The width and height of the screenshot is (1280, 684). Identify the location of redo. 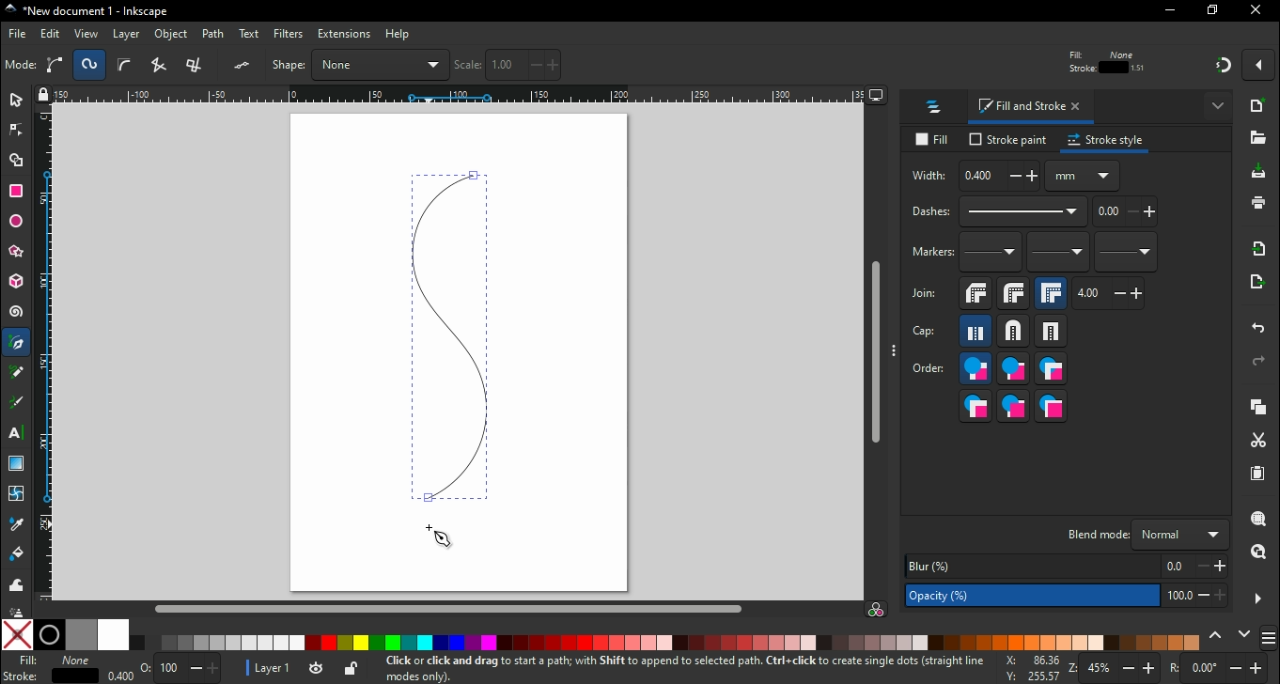
(1262, 363).